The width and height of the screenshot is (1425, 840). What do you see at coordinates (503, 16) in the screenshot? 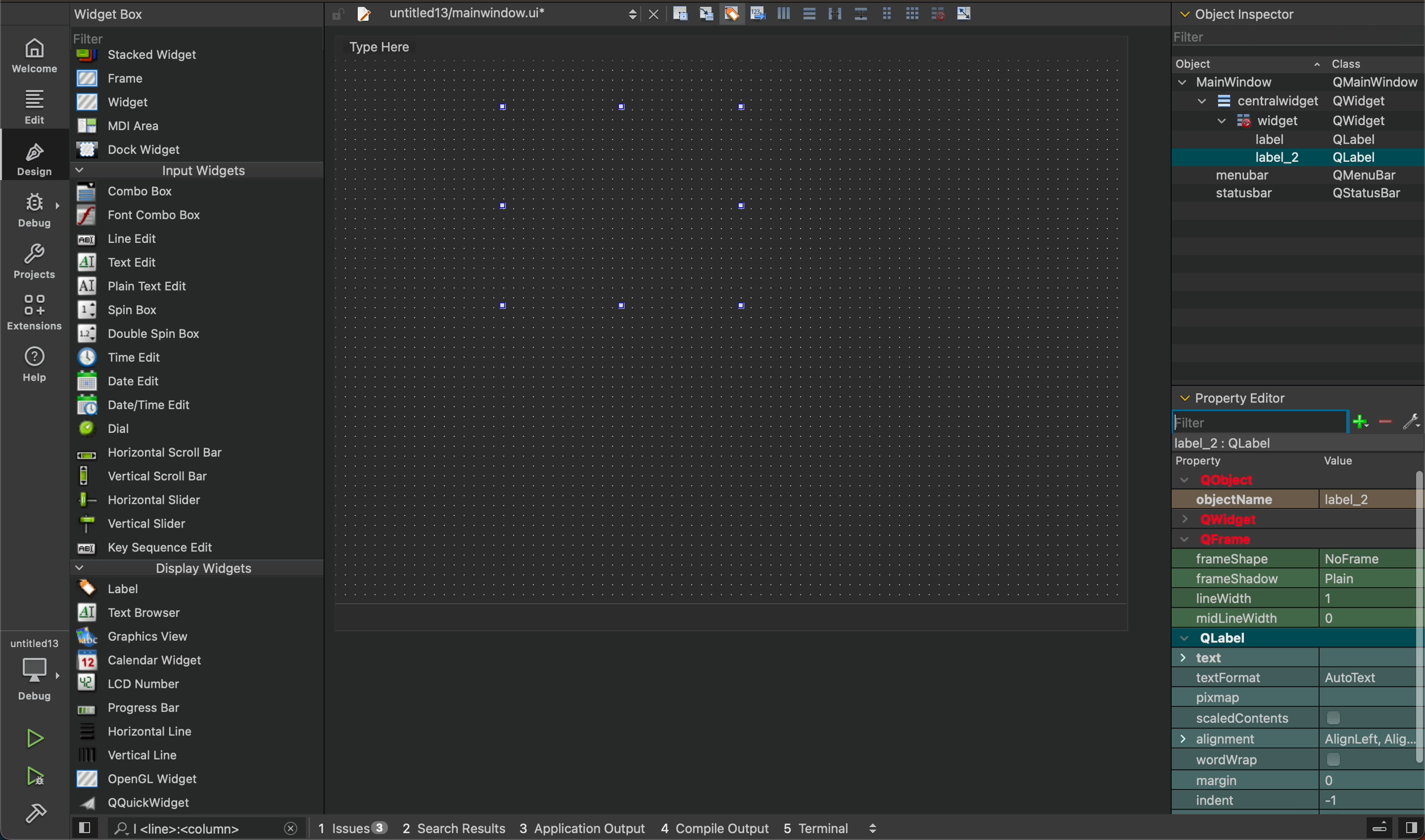
I see `file tab` at bounding box center [503, 16].